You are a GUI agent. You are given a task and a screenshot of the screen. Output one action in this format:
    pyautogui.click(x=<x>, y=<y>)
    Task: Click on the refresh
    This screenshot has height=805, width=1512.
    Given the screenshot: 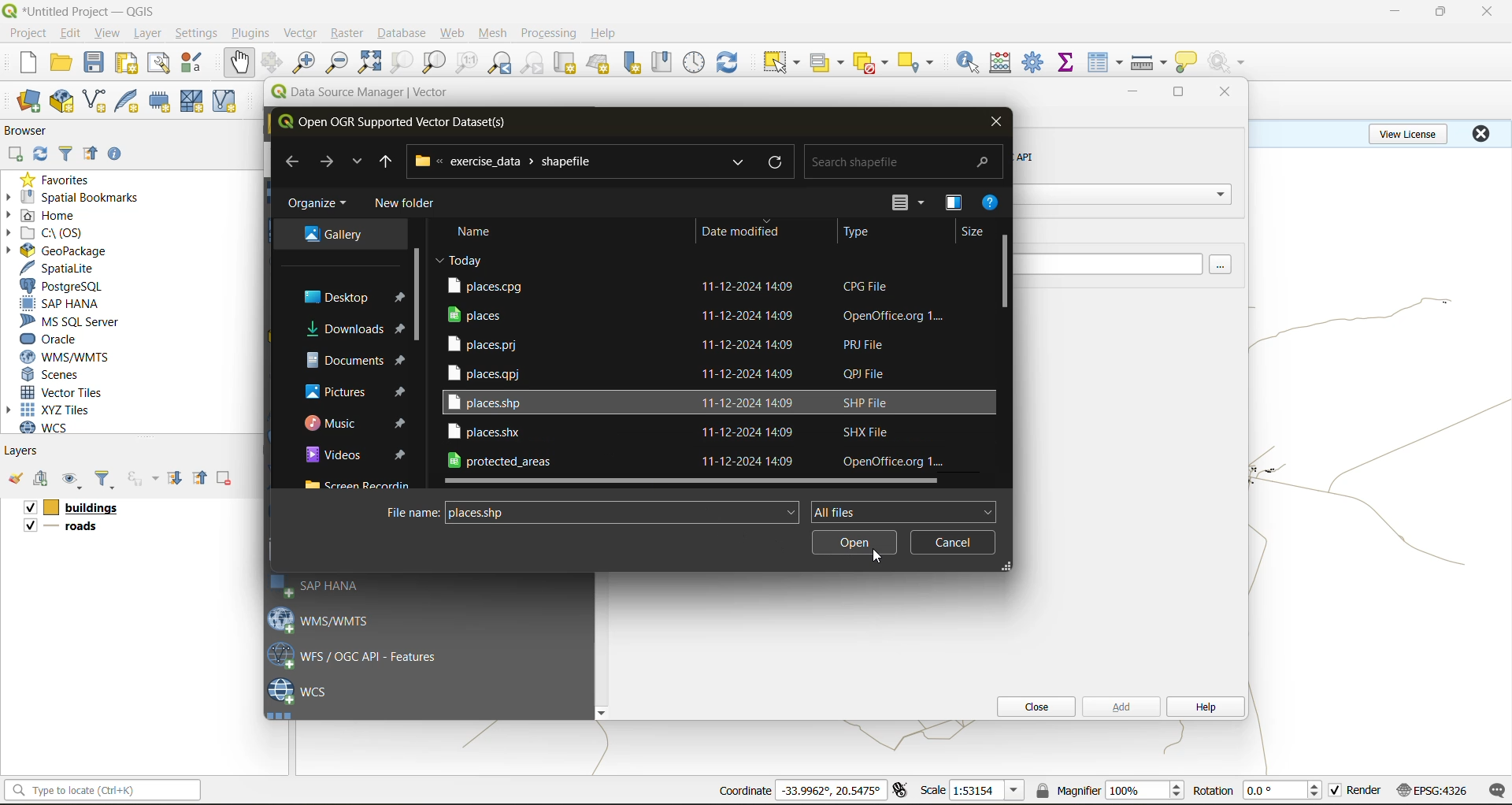 What is the action you would take?
    pyautogui.click(x=780, y=163)
    